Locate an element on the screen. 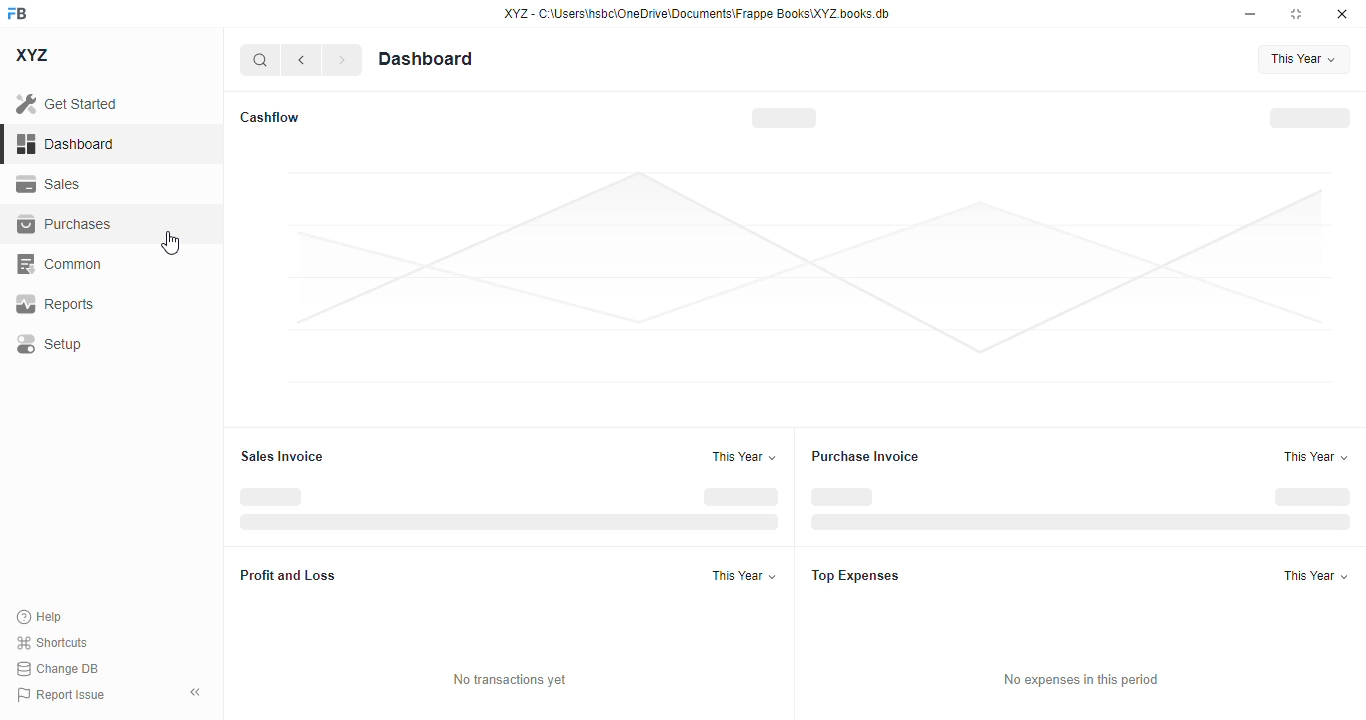 Image resolution: width=1366 pixels, height=720 pixels. this year is located at coordinates (1316, 576).